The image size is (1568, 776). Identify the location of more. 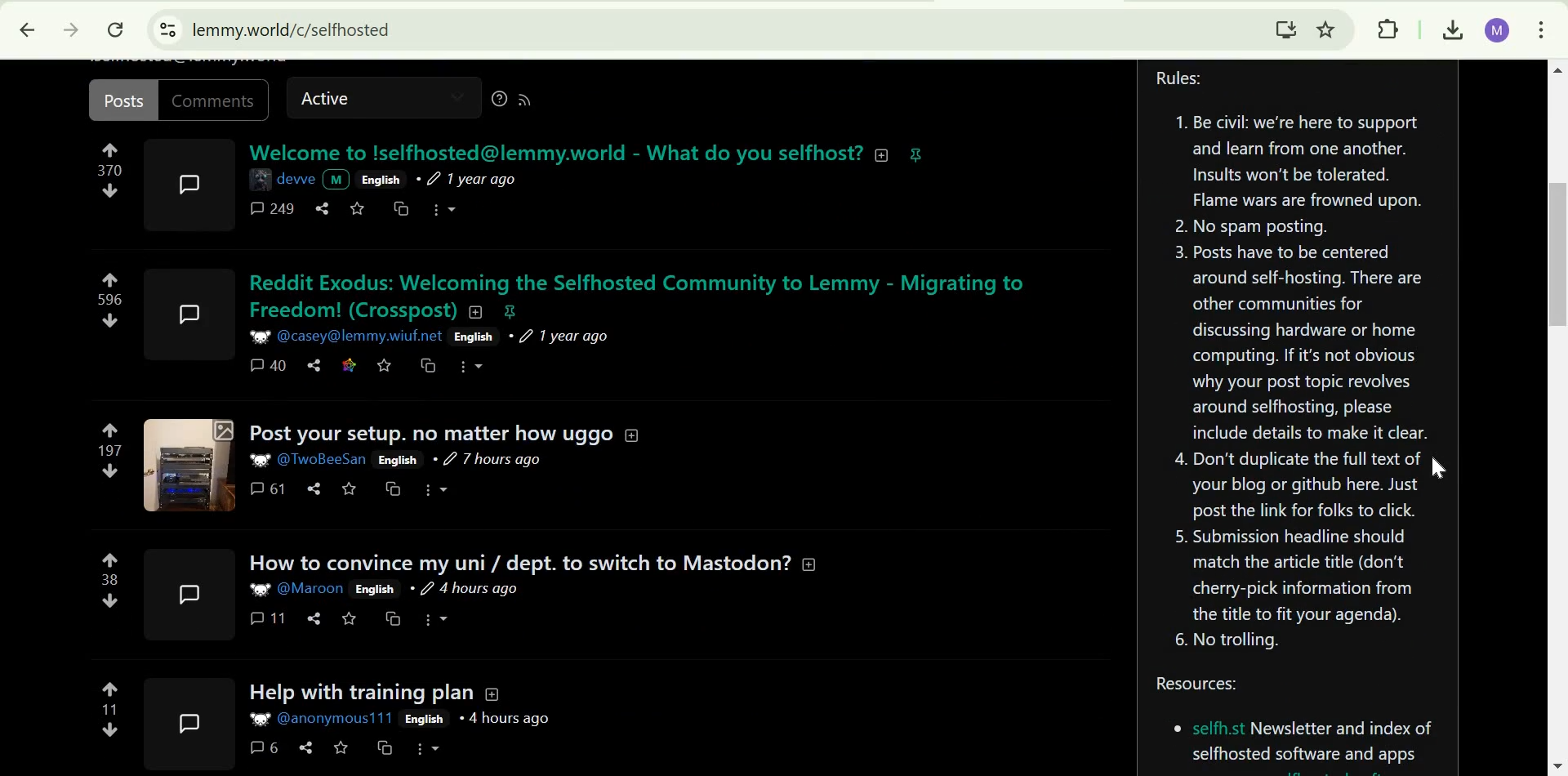
(474, 368).